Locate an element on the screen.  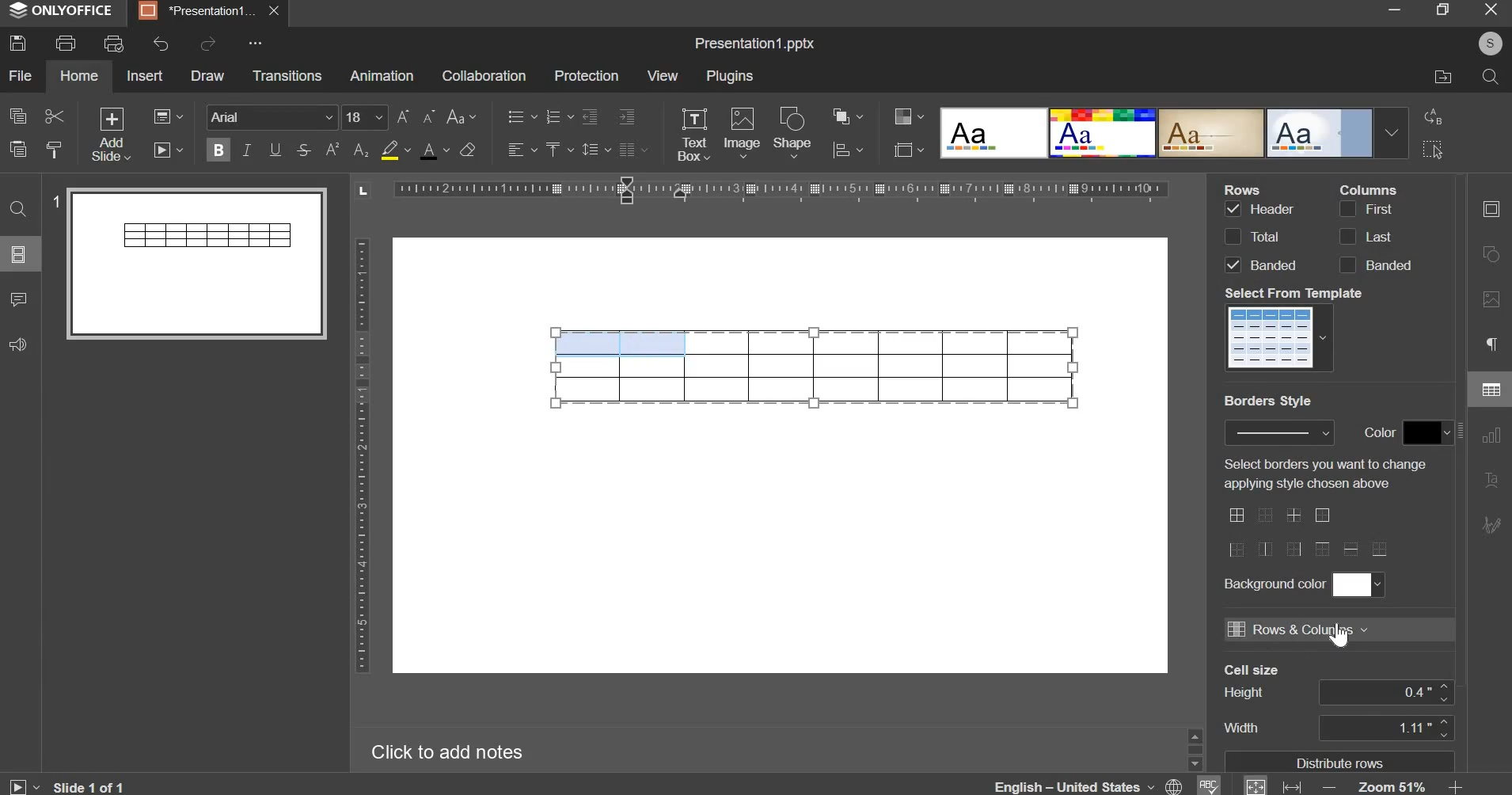
justified is located at coordinates (633, 150).